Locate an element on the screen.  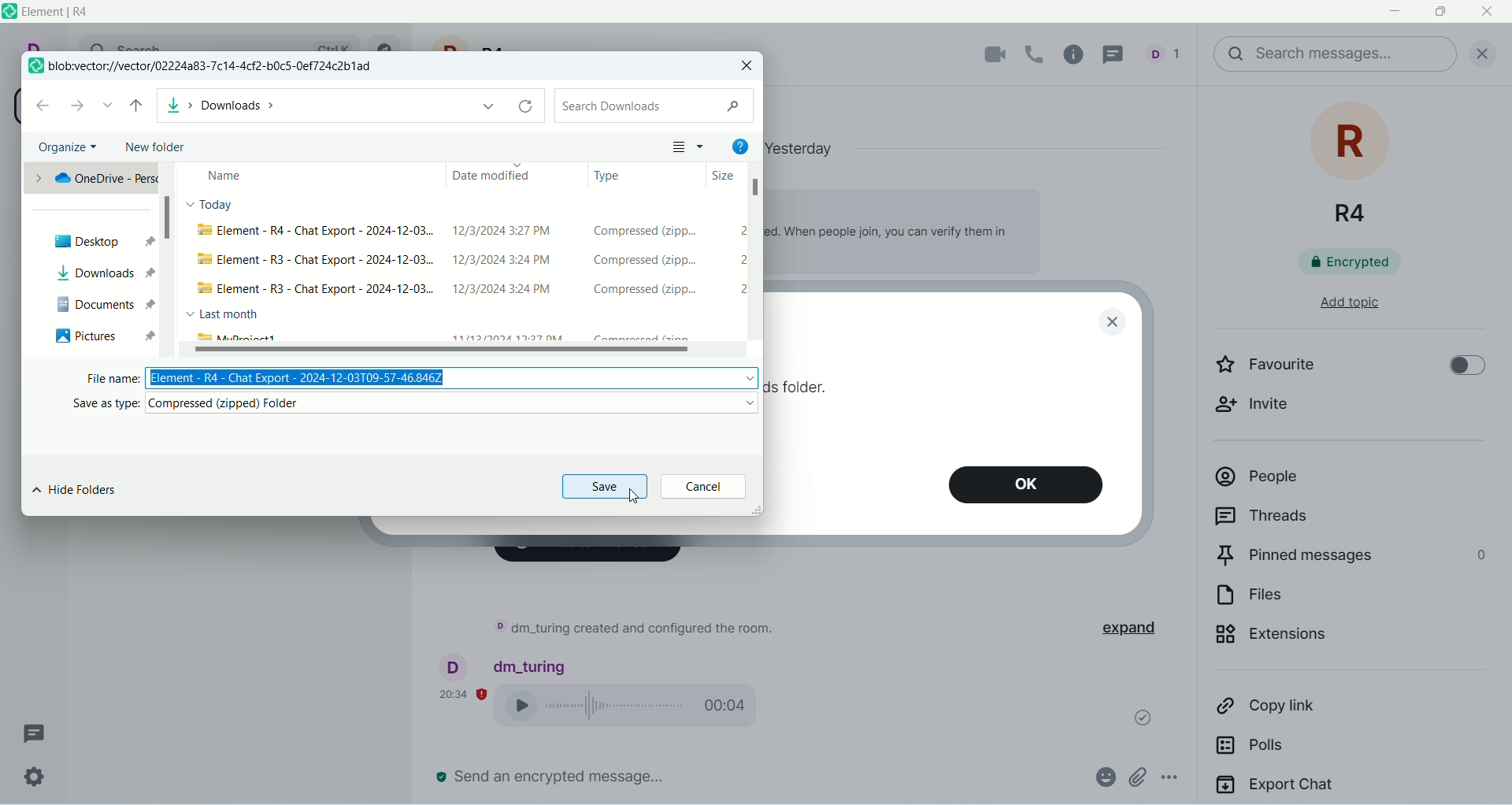
close is located at coordinates (752, 68).